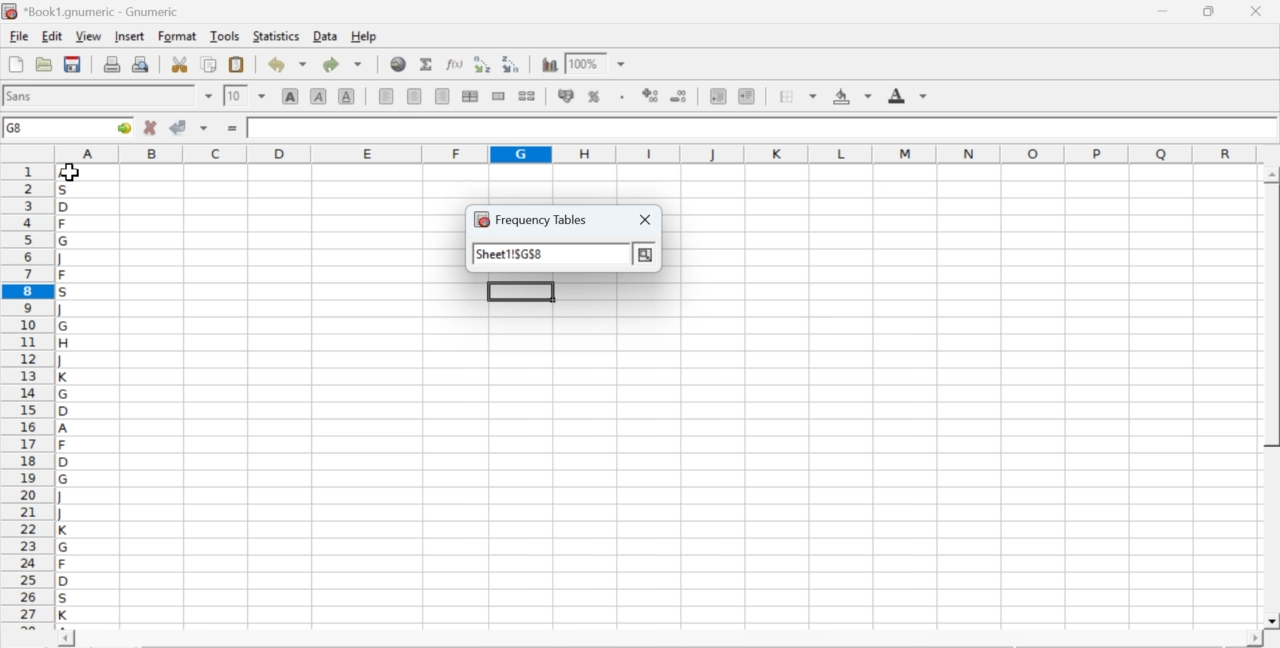 The width and height of the screenshot is (1280, 648). Describe the element at coordinates (660, 640) in the screenshot. I see `scroll bar` at that location.